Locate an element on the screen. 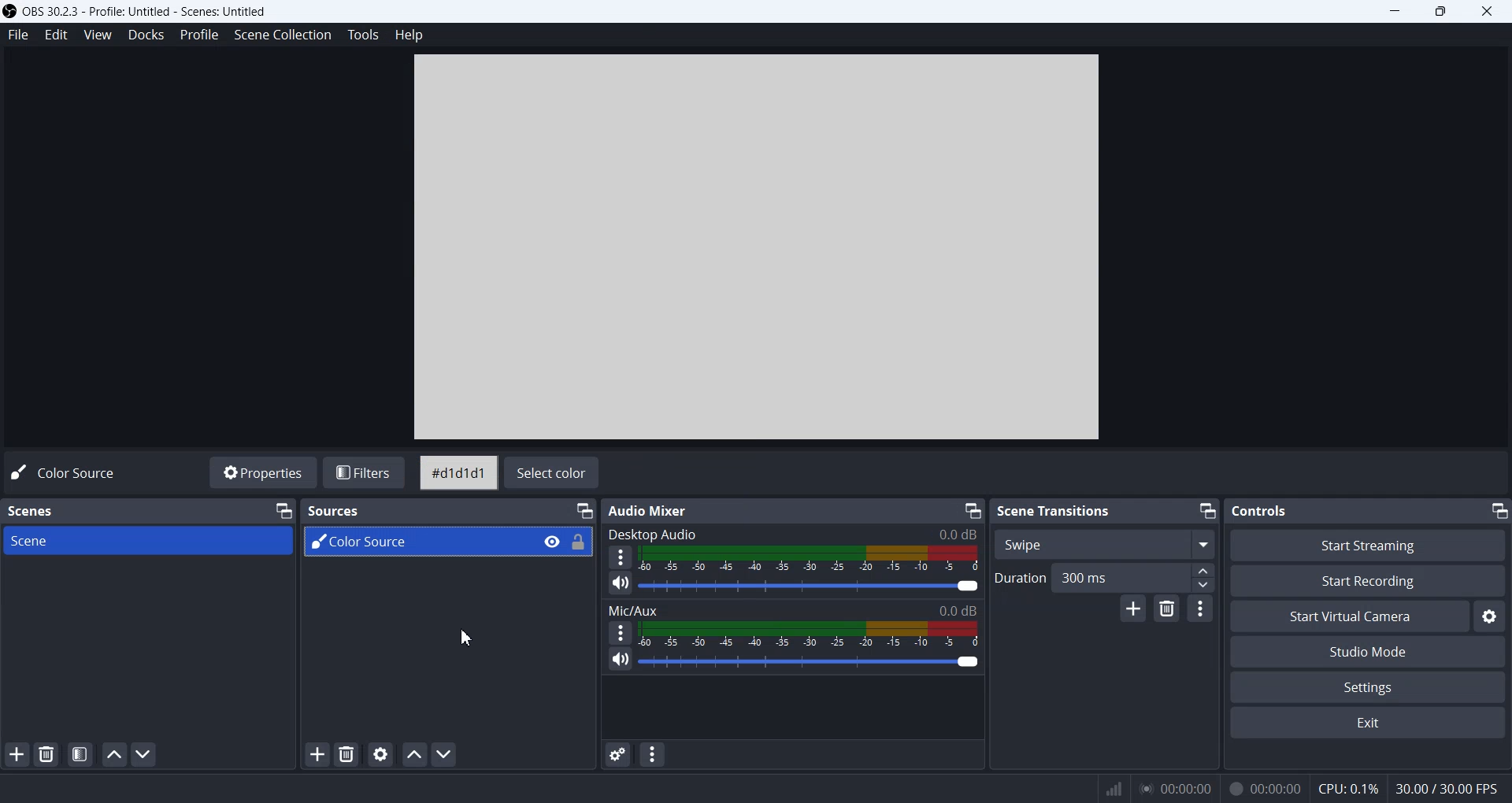 This screenshot has width=1512, height=803. Mute/ Unmute is located at coordinates (619, 661).